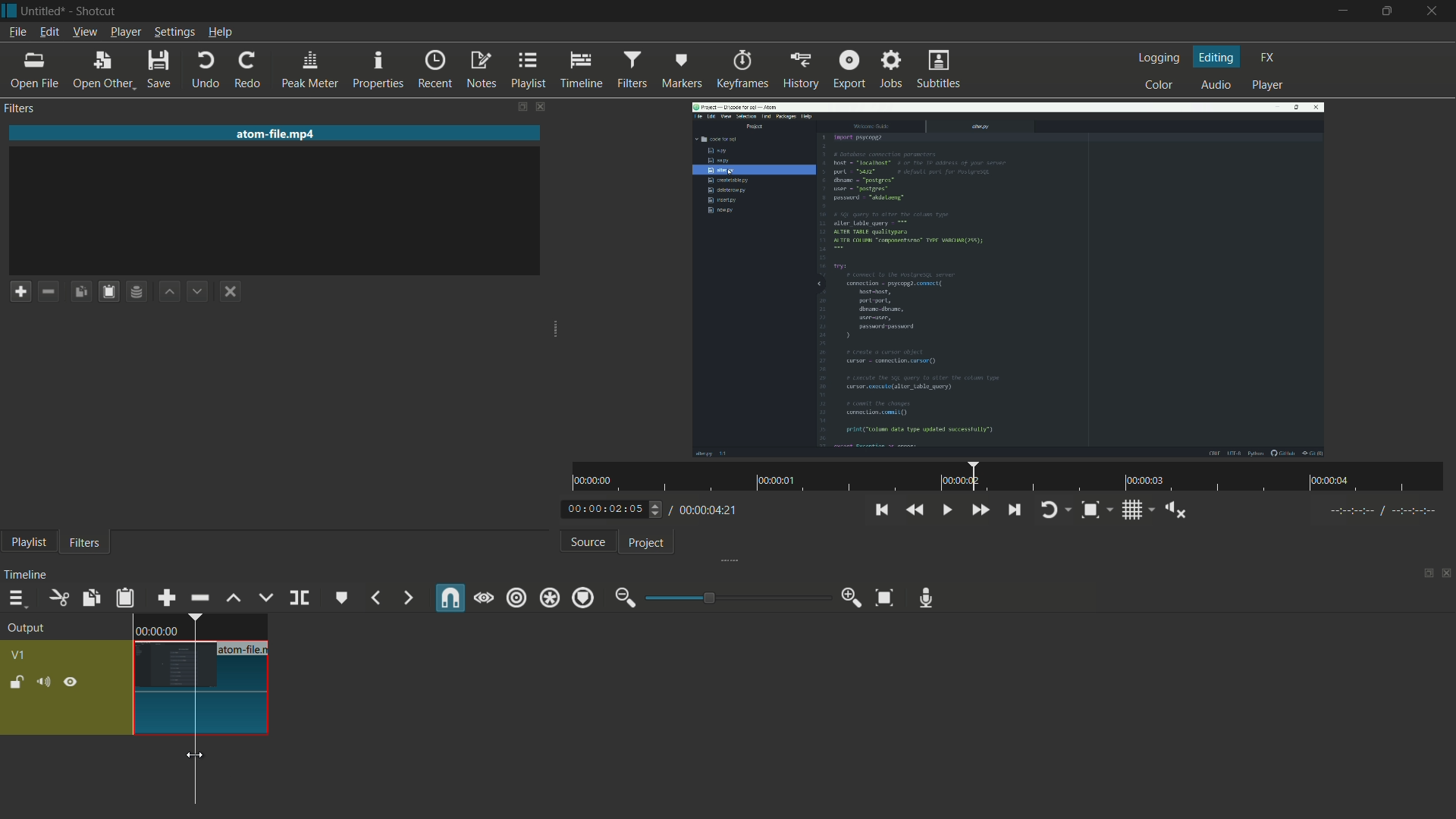  What do you see at coordinates (1427, 573) in the screenshot?
I see `change layout` at bounding box center [1427, 573].